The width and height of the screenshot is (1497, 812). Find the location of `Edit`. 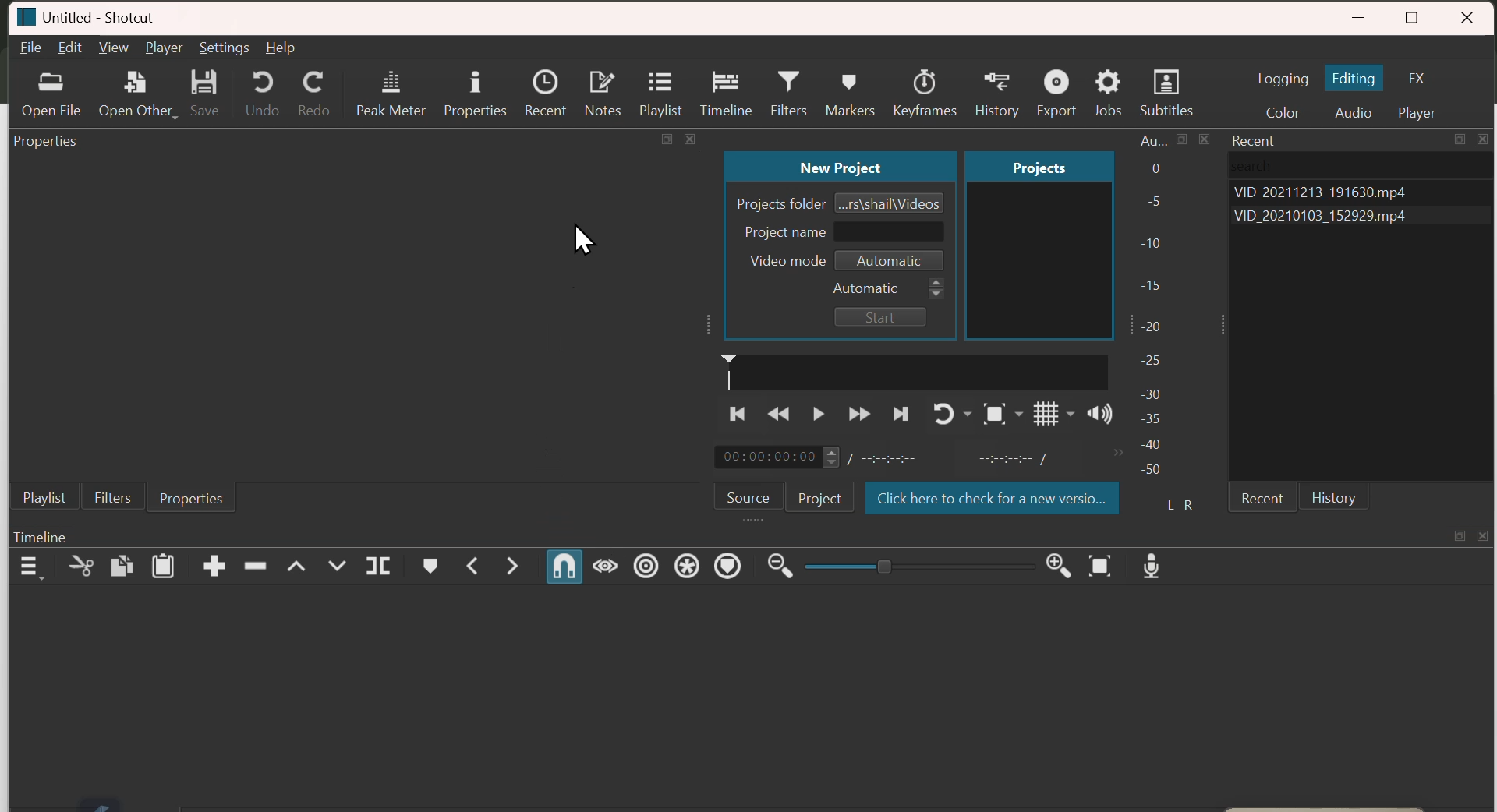

Edit is located at coordinates (68, 48).